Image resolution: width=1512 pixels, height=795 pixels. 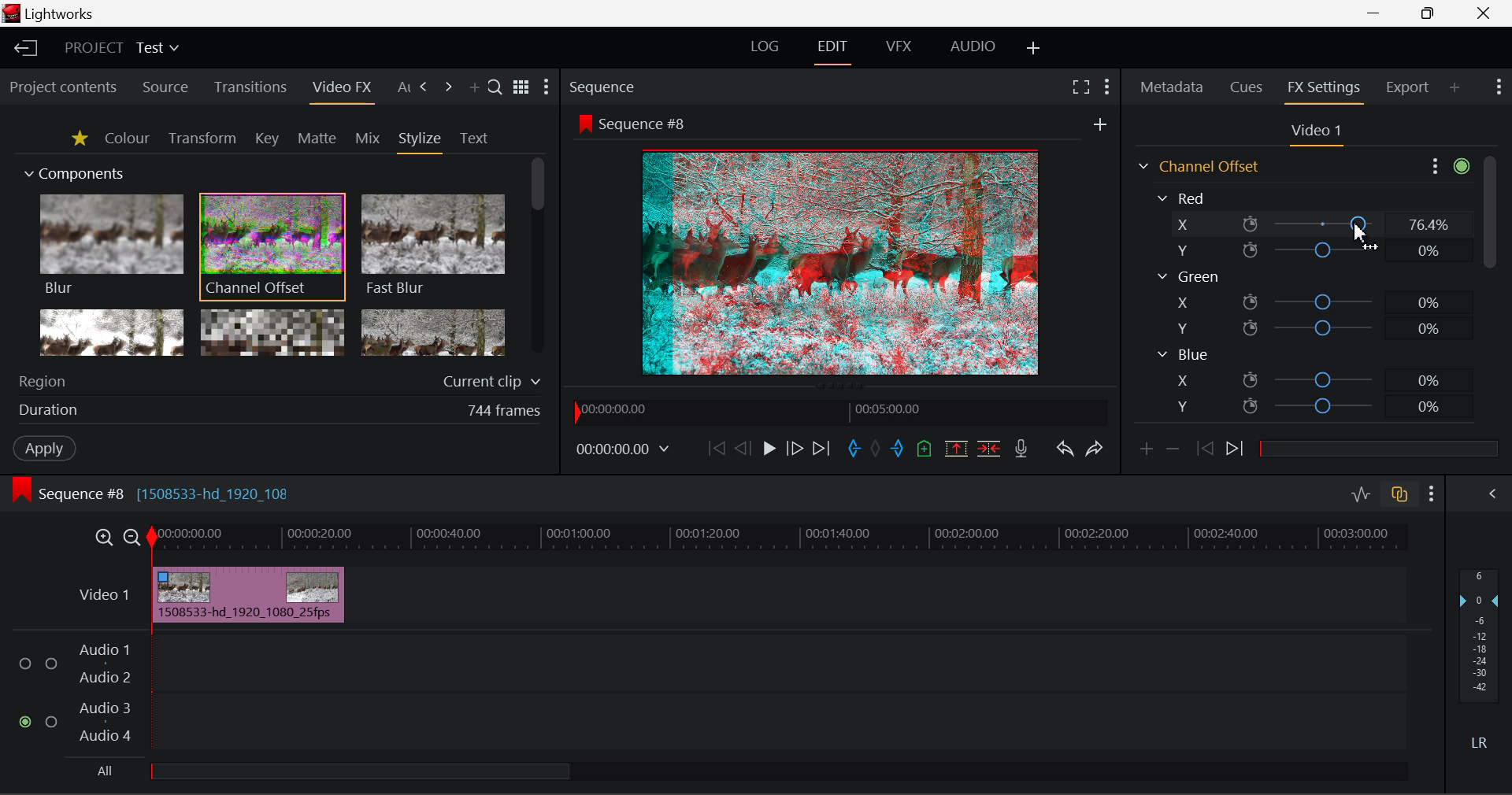 What do you see at coordinates (1067, 451) in the screenshot?
I see `Undo` at bounding box center [1067, 451].